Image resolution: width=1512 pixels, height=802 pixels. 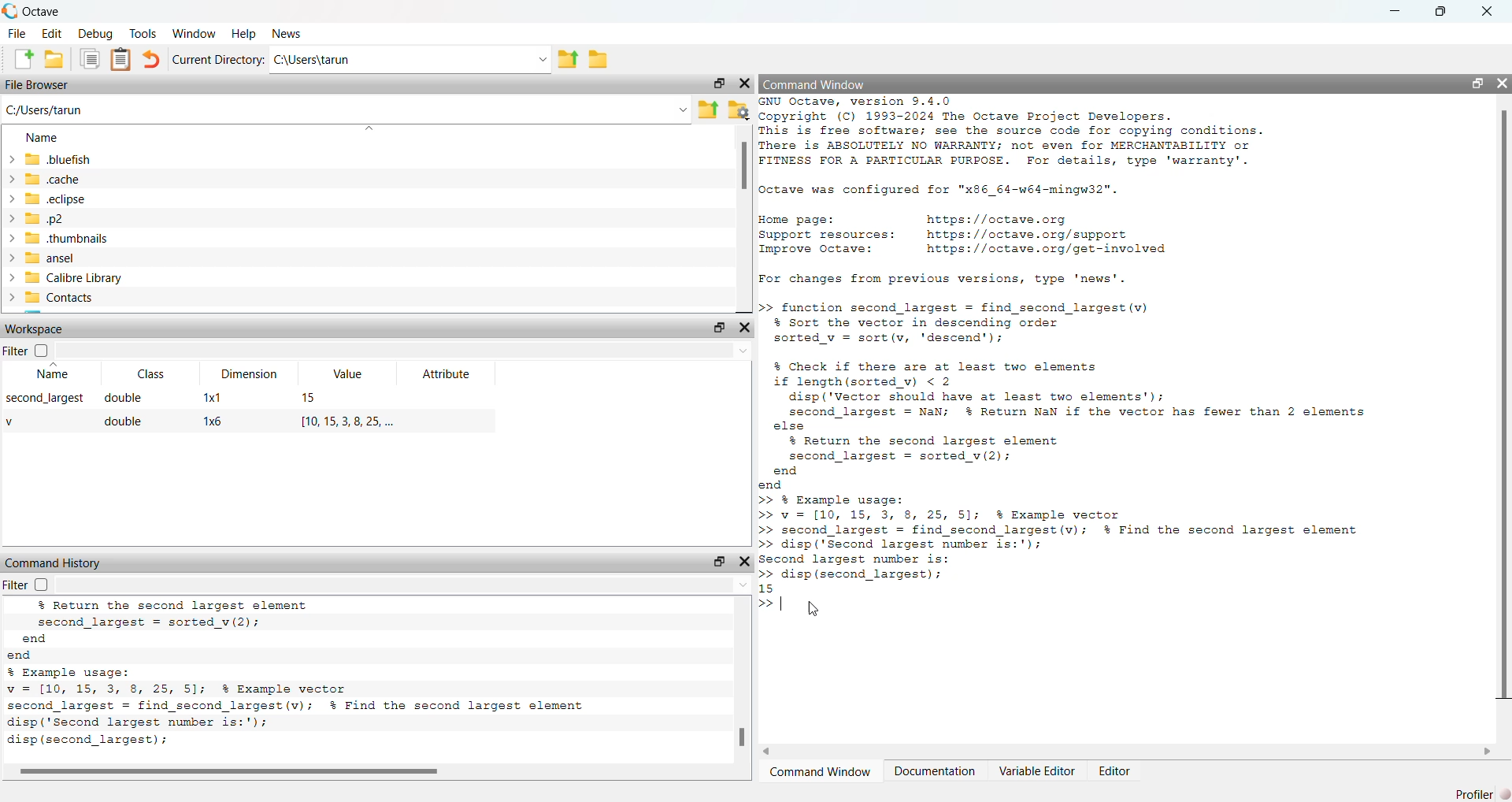 I want to click on hide widget, so click(x=748, y=562).